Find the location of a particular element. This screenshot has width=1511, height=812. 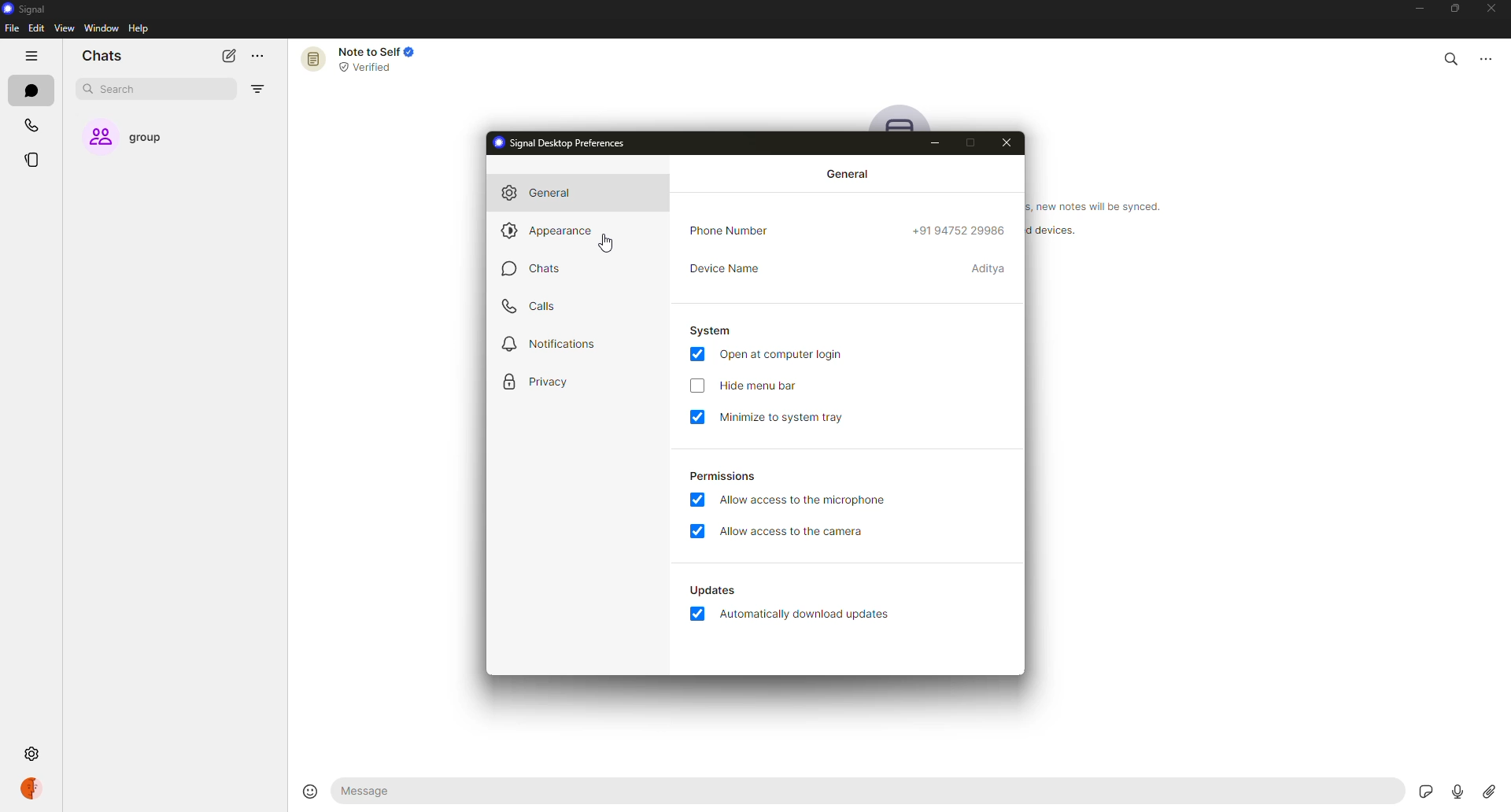

maximize is located at coordinates (968, 143).